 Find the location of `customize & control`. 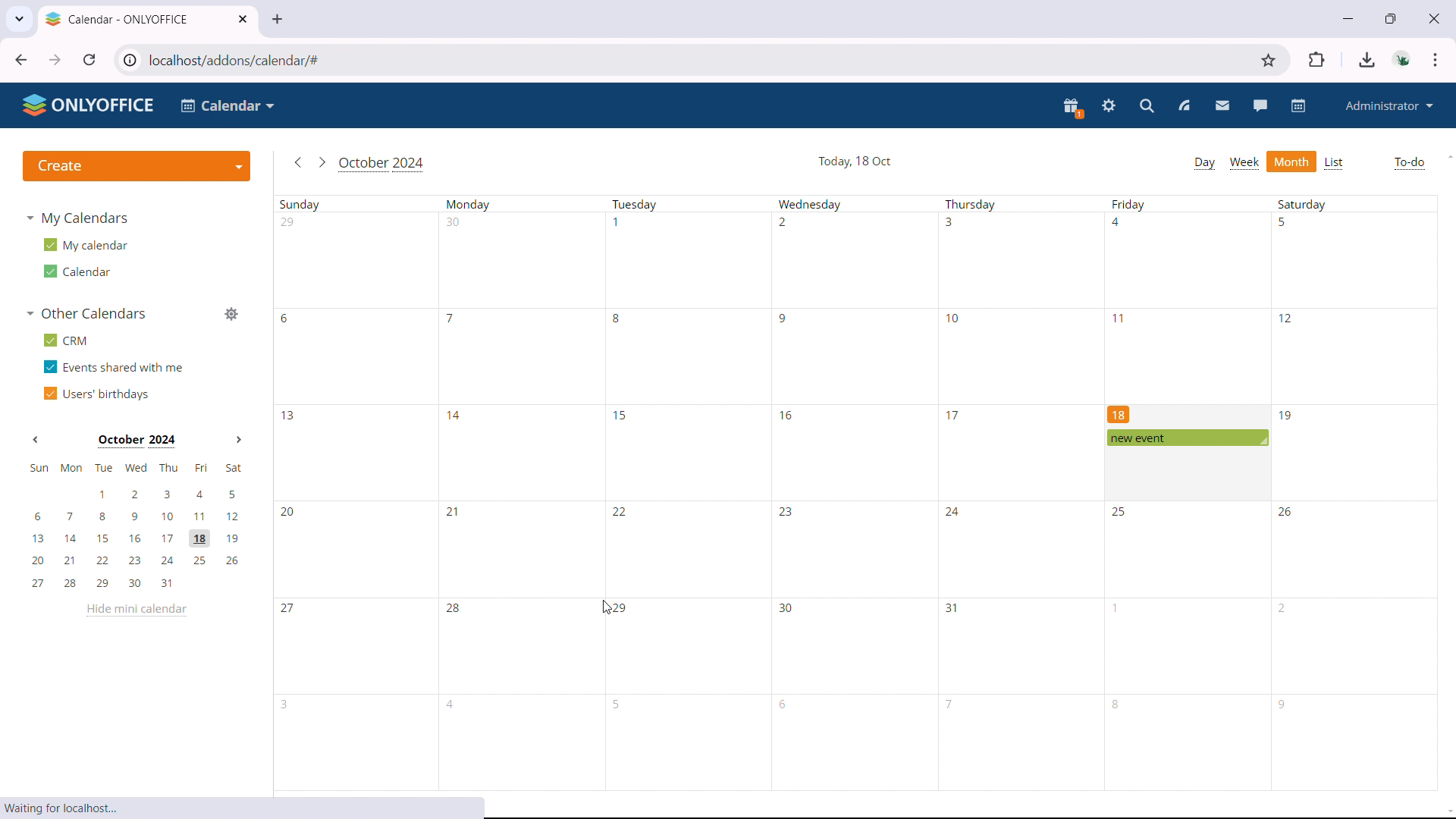

customize & control is located at coordinates (1436, 60).